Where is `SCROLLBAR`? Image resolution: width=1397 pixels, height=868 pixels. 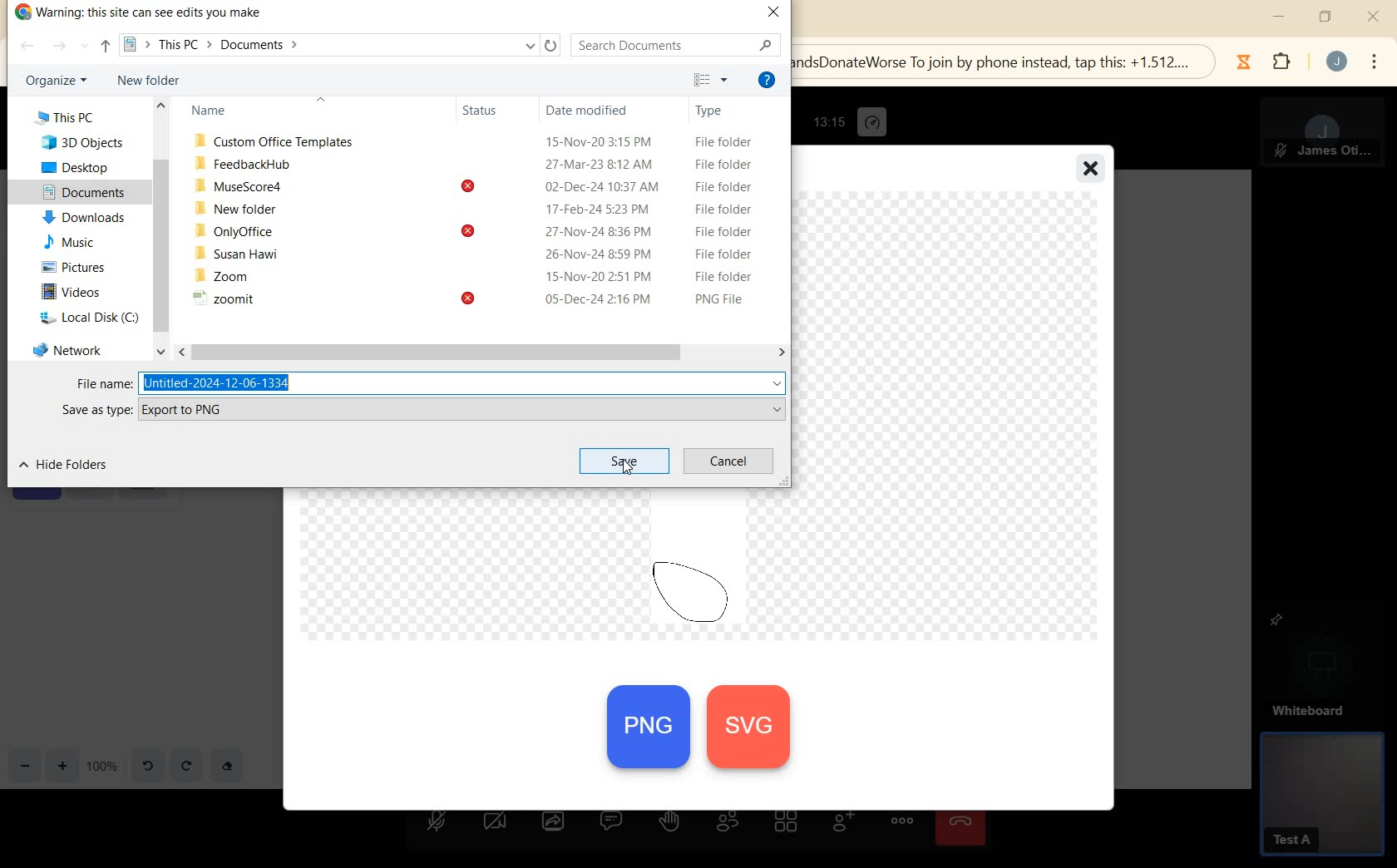 SCROLLBAR is located at coordinates (157, 228).